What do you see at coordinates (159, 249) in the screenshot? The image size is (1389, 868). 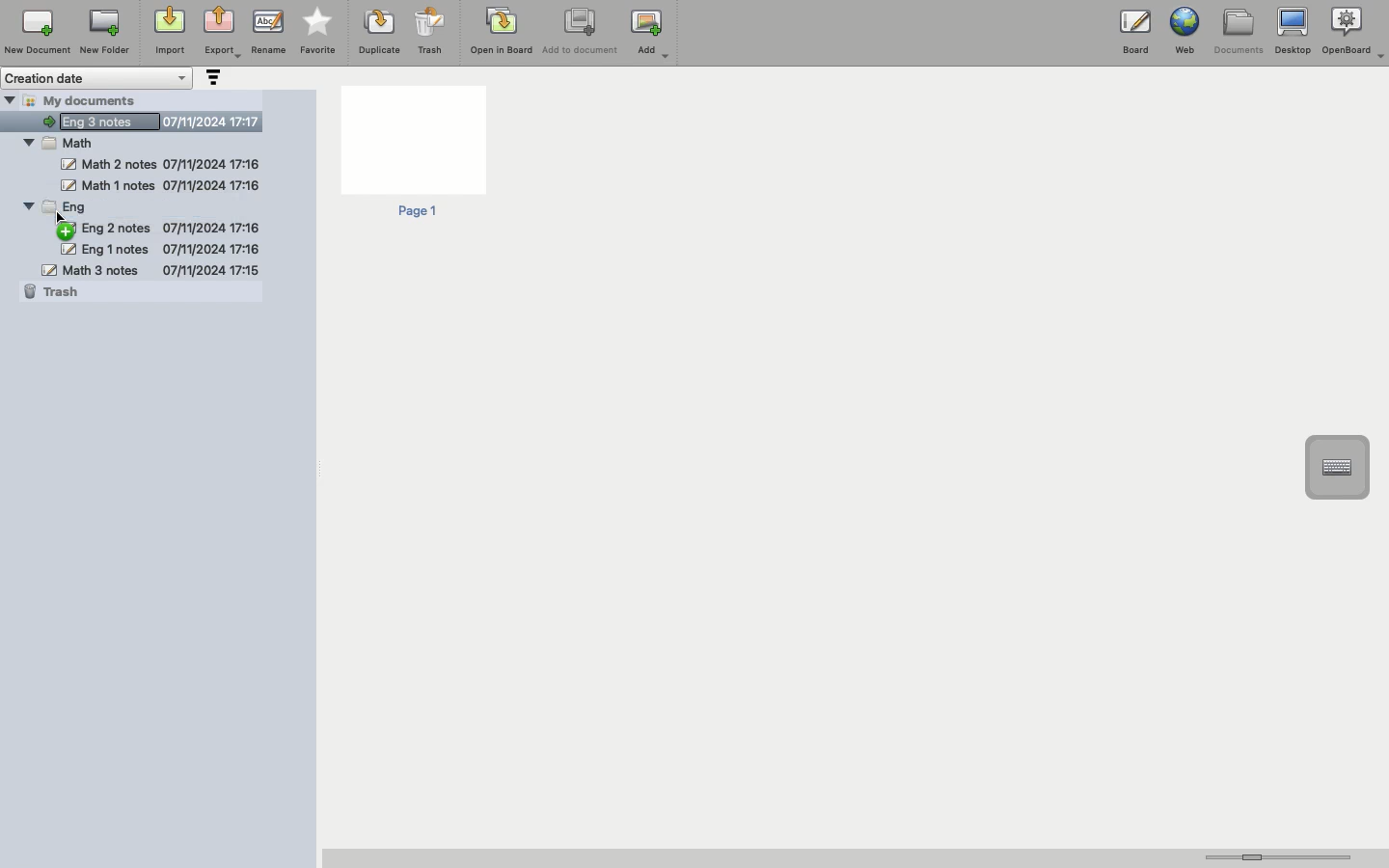 I see `Eng 1 notes` at bounding box center [159, 249].